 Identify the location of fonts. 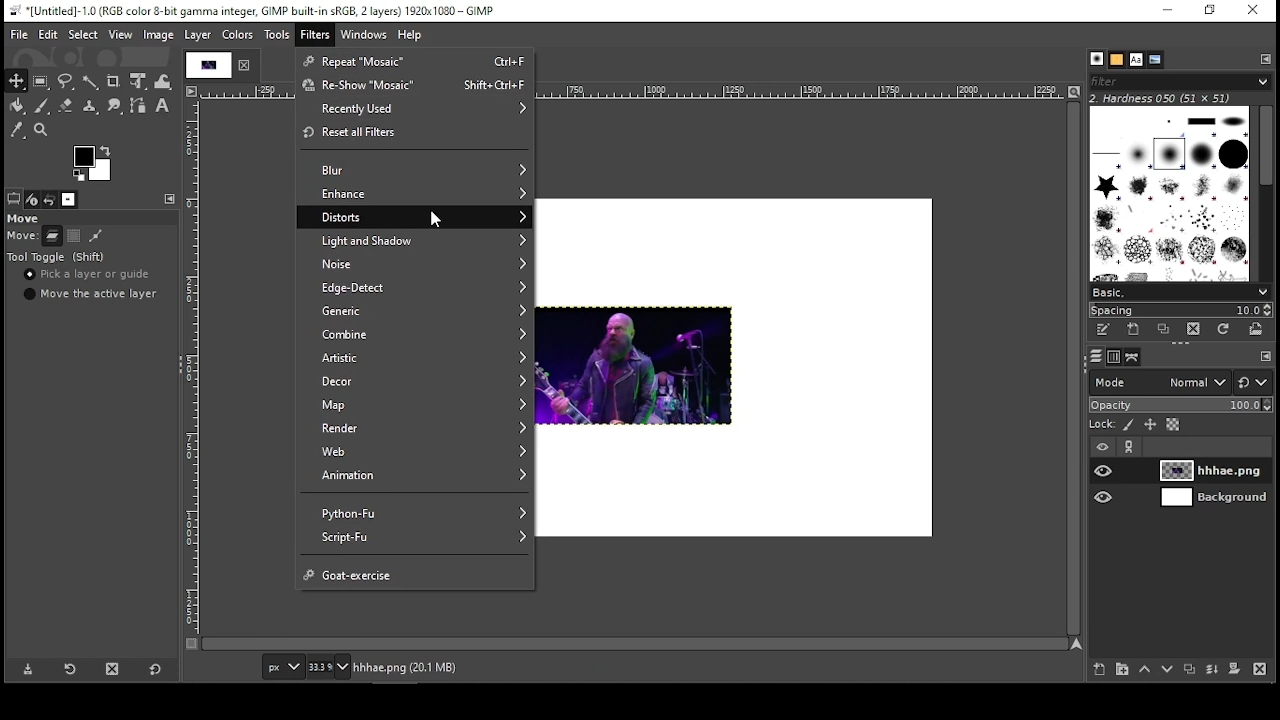
(1135, 59).